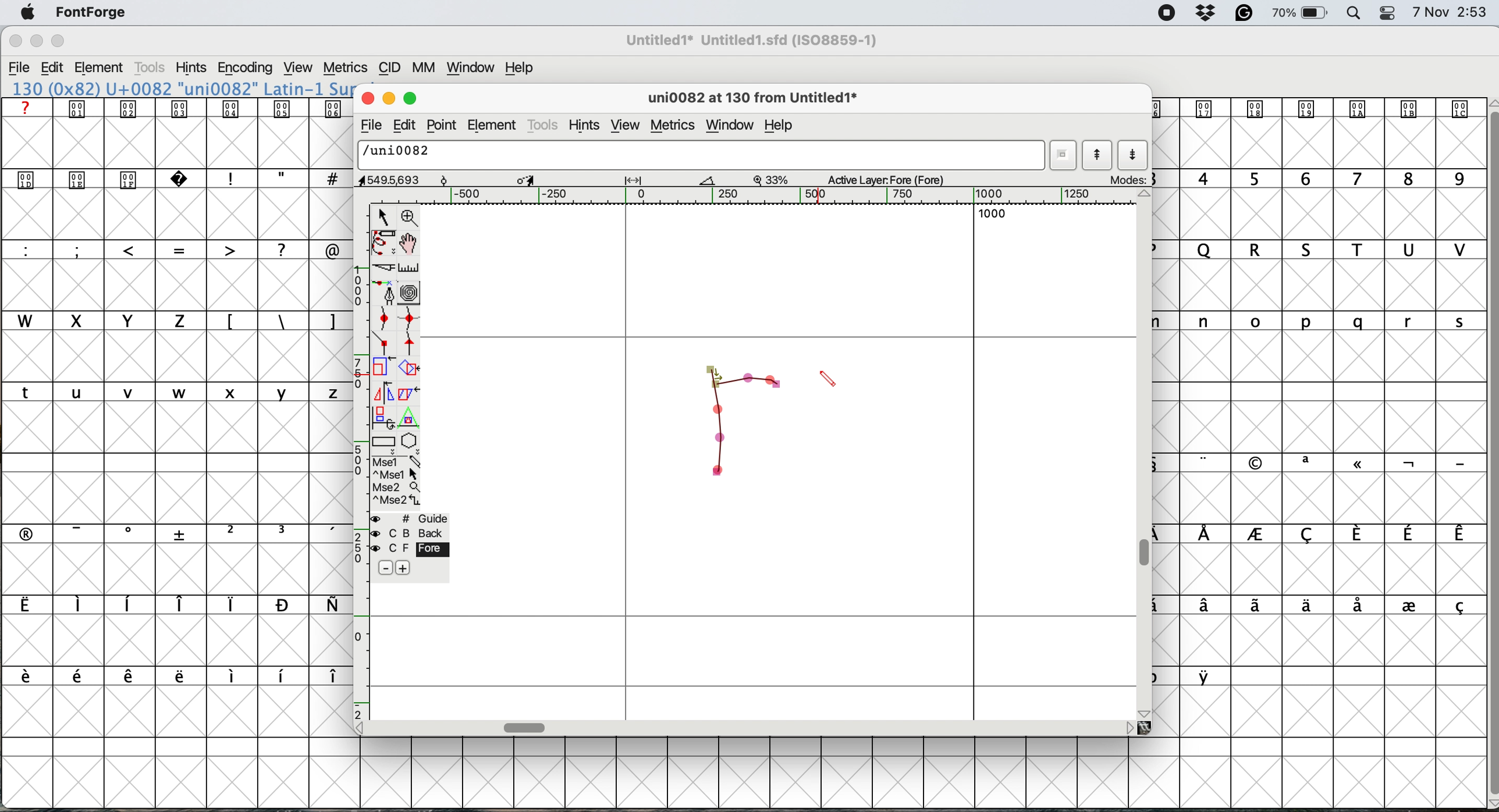 Image resolution: width=1499 pixels, height=812 pixels. What do you see at coordinates (57, 40) in the screenshot?
I see `maximise` at bounding box center [57, 40].